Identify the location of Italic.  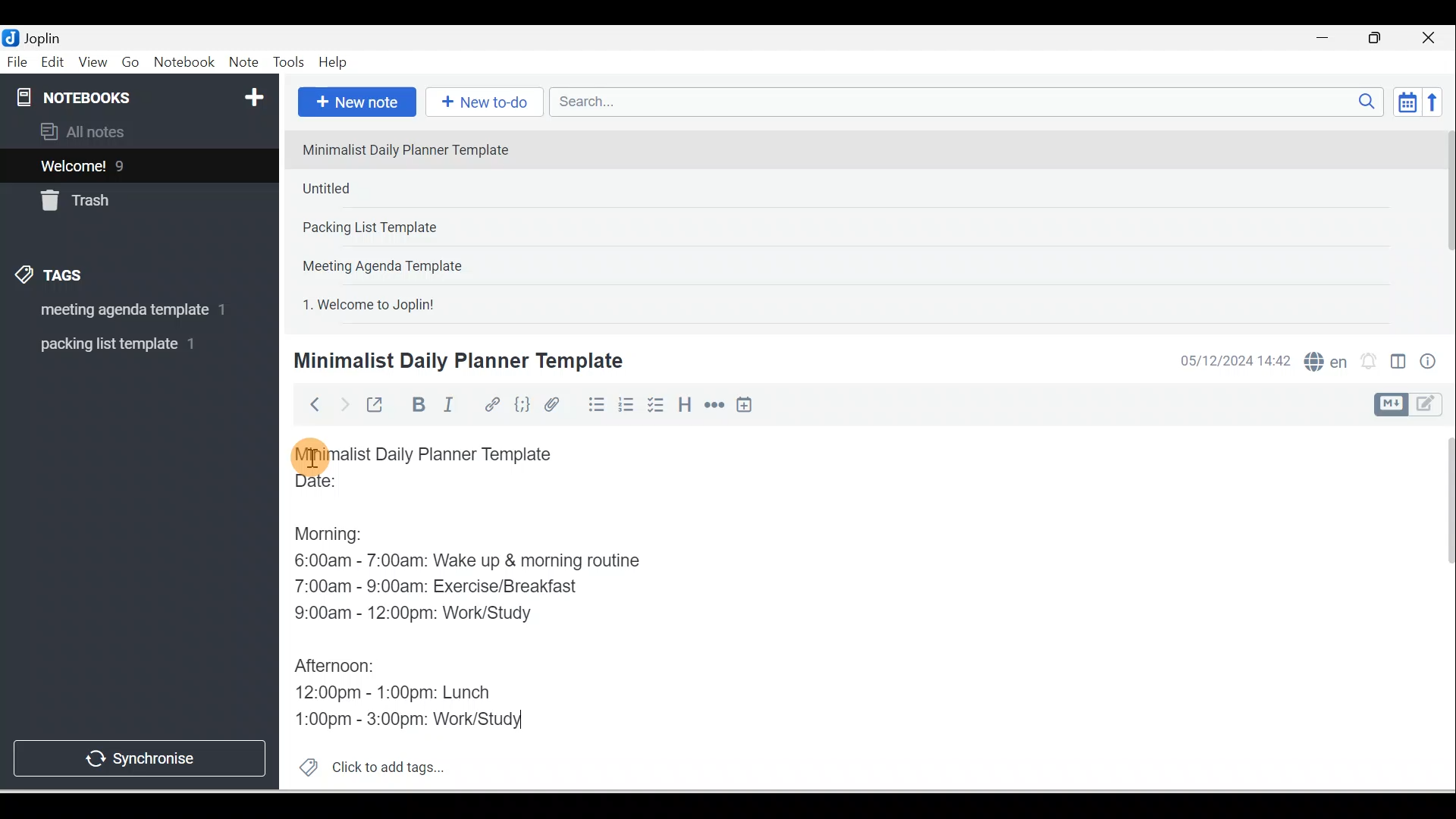
(451, 407).